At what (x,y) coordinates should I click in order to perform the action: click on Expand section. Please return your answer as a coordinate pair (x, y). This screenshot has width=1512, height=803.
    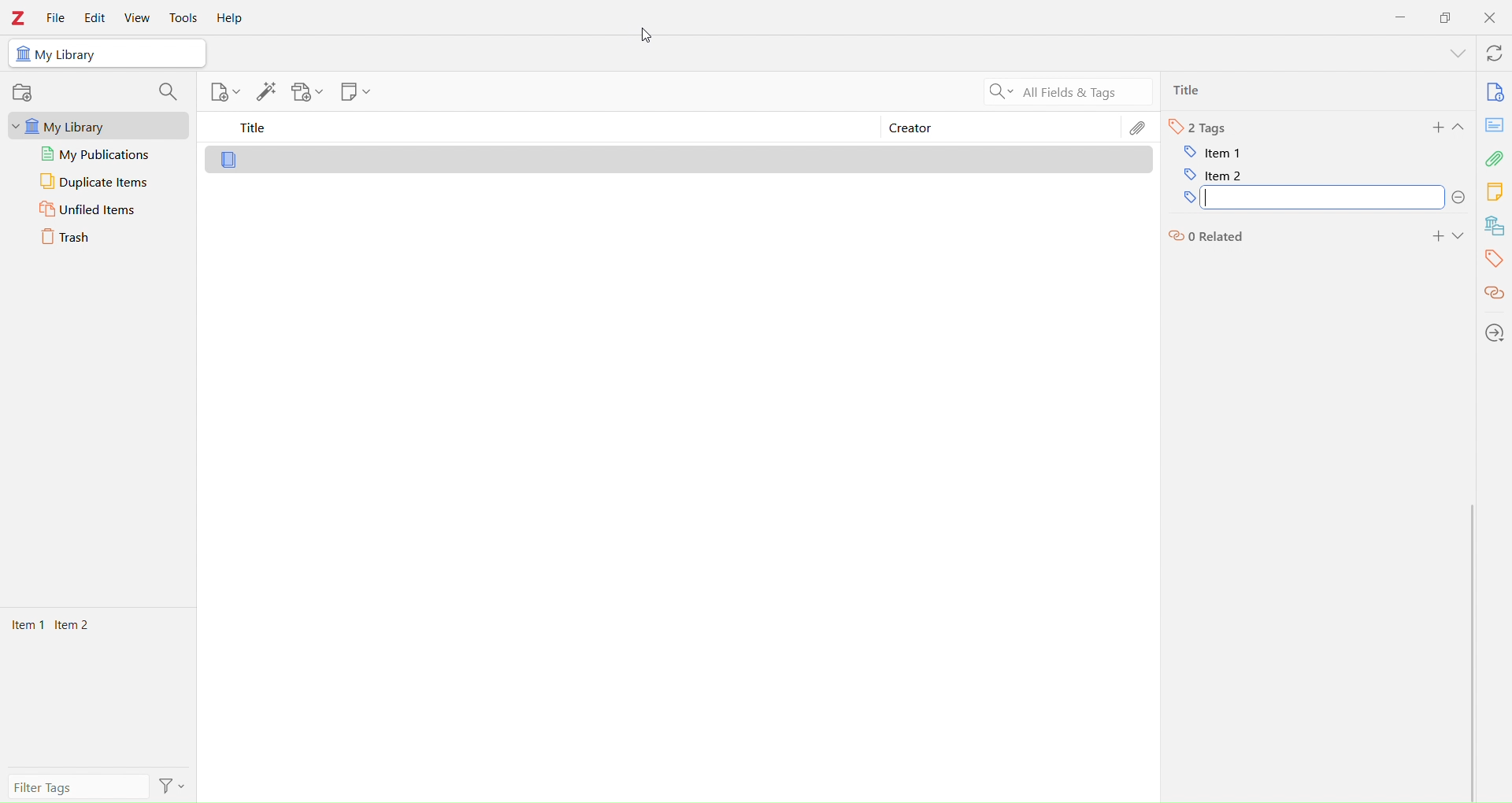
    Looking at the image, I should click on (1462, 234).